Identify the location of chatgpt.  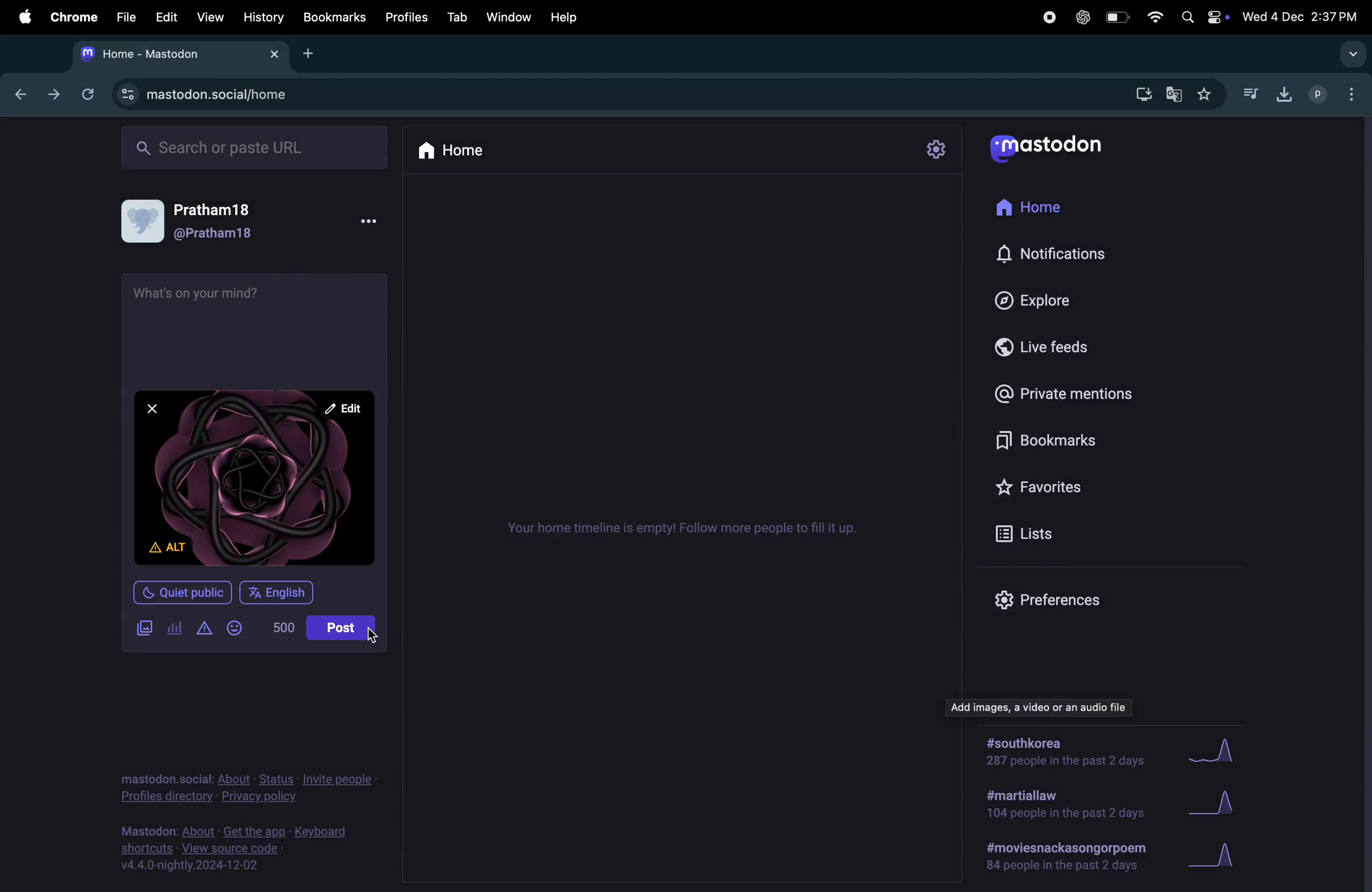
(1081, 17).